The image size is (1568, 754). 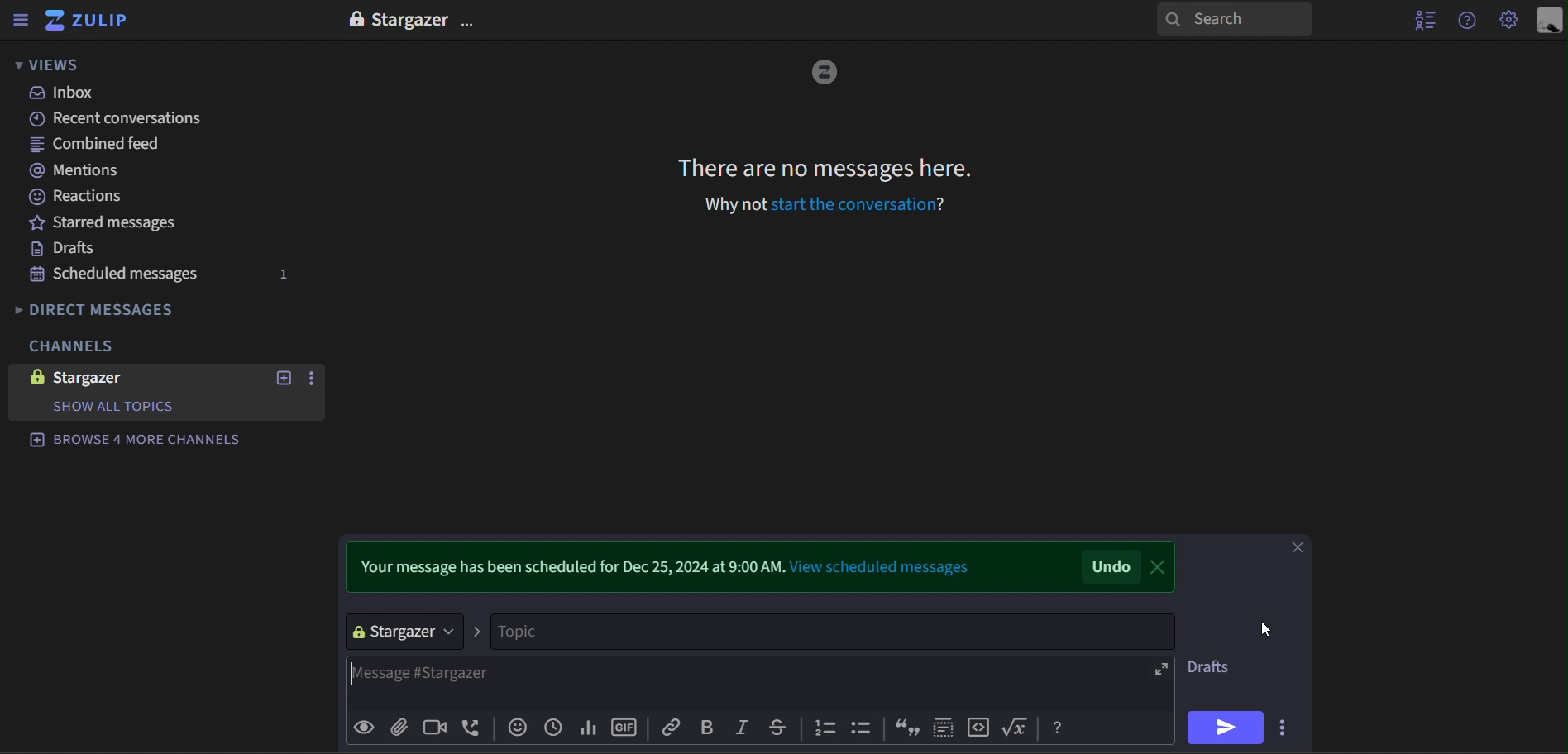 I want to click on icon, so click(x=980, y=728).